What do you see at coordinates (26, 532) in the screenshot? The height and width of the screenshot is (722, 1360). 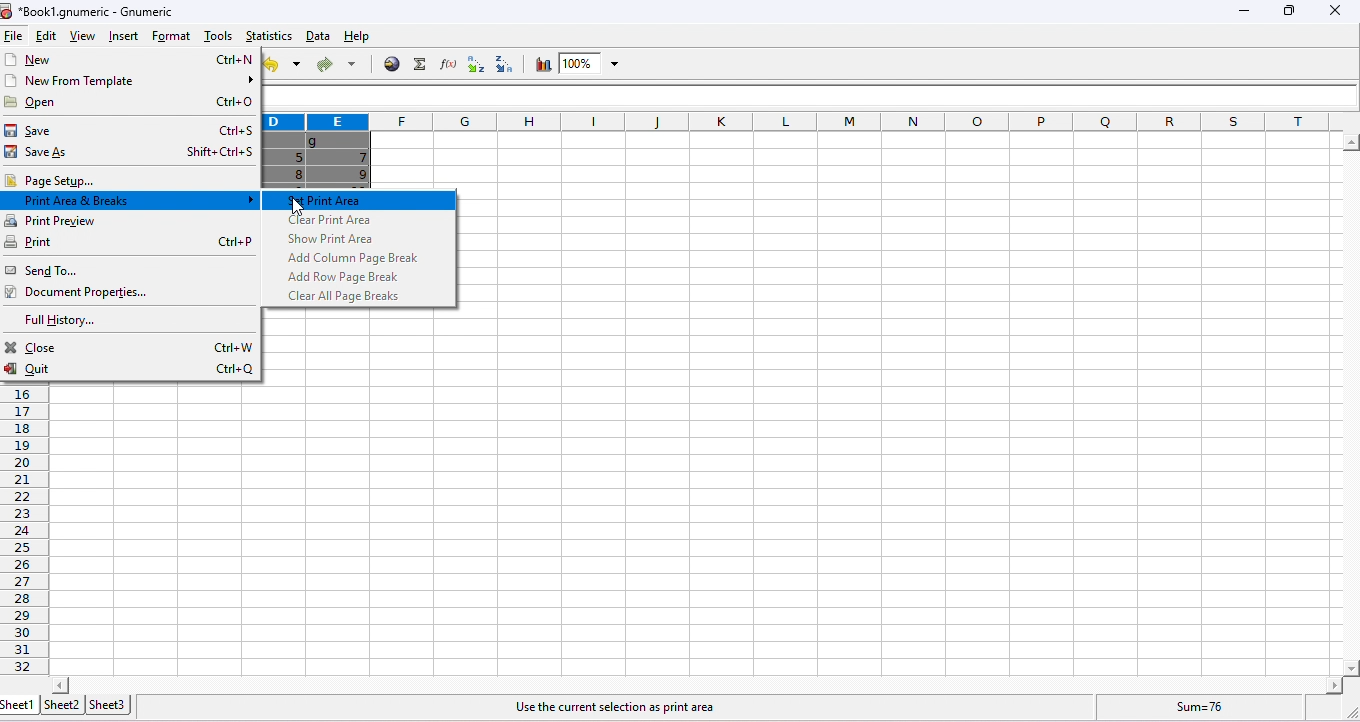 I see `row numbers` at bounding box center [26, 532].